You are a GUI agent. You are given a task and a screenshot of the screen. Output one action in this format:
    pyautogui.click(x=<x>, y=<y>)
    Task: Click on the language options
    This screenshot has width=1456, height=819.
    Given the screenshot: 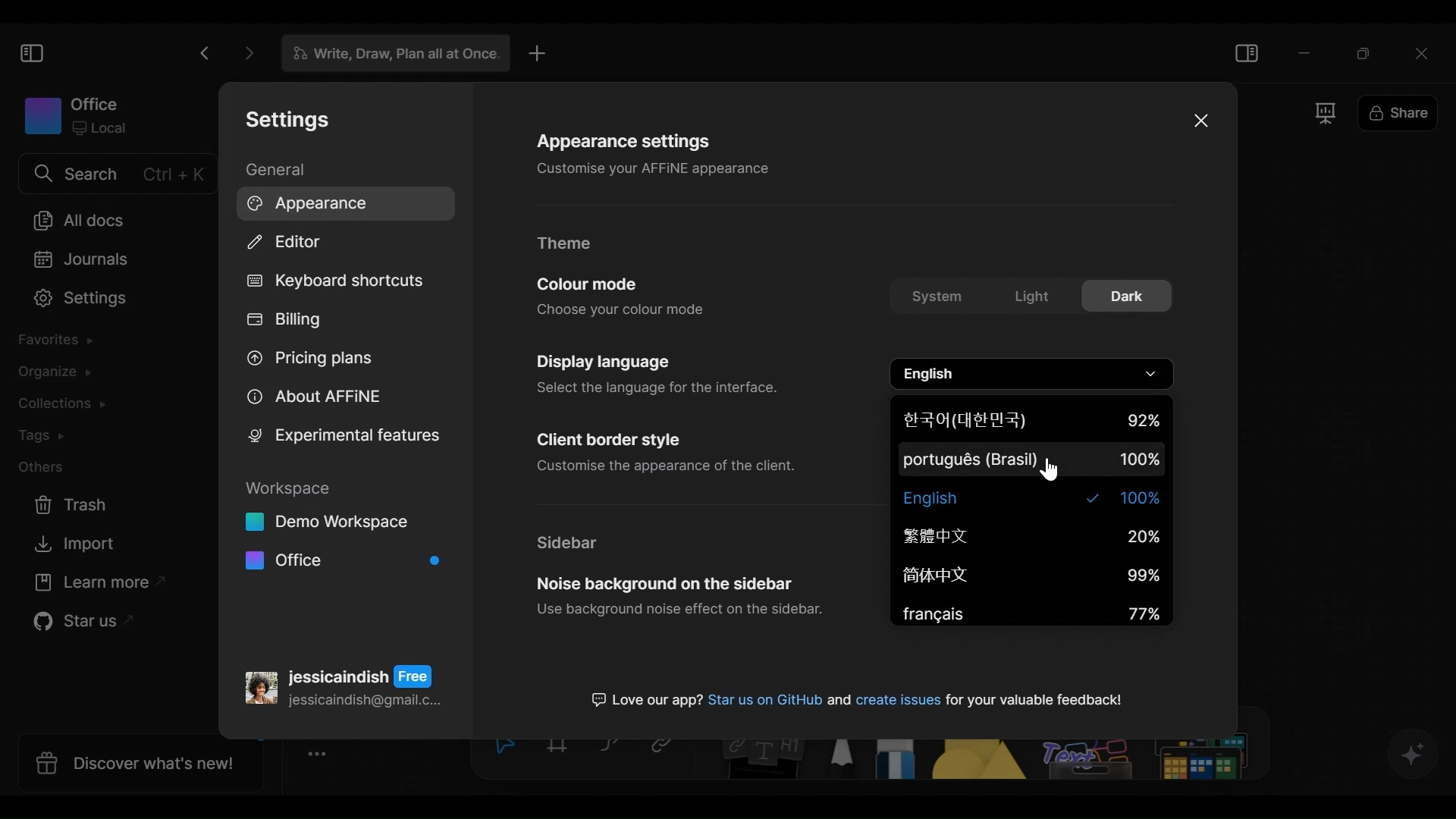 What is the action you would take?
    pyautogui.click(x=1034, y=374)
    